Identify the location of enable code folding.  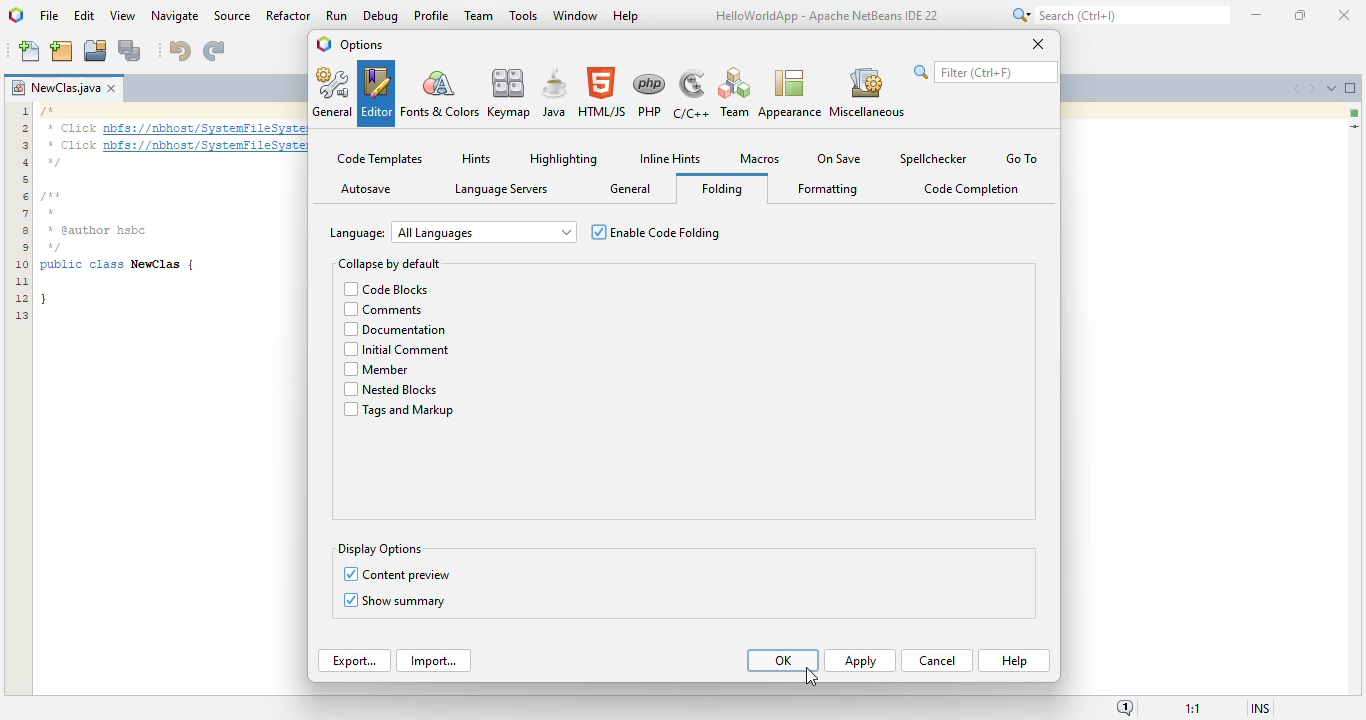
(654, 232).